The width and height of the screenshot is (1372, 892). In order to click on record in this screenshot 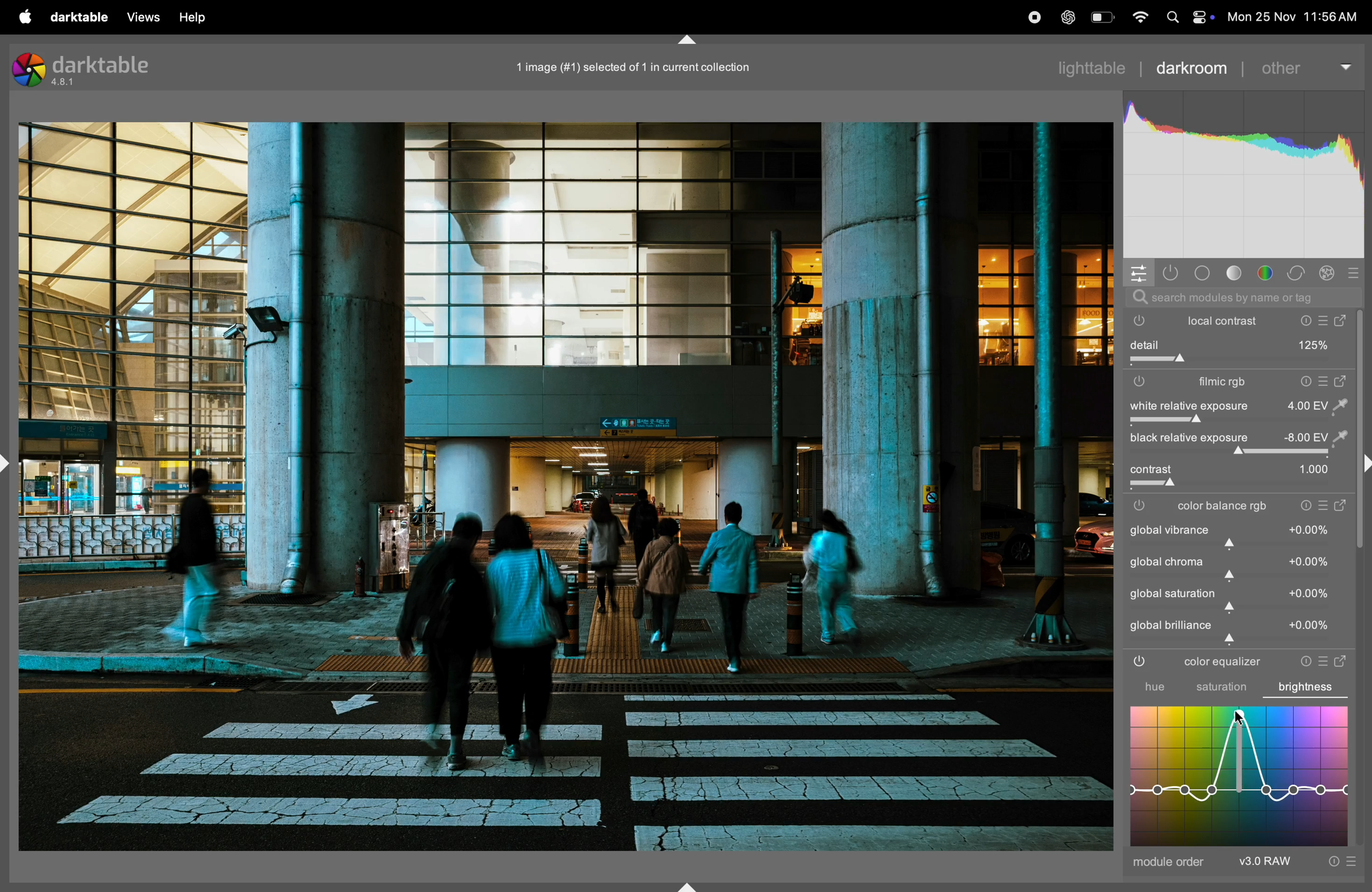, I will do `click(1036, 16)`.